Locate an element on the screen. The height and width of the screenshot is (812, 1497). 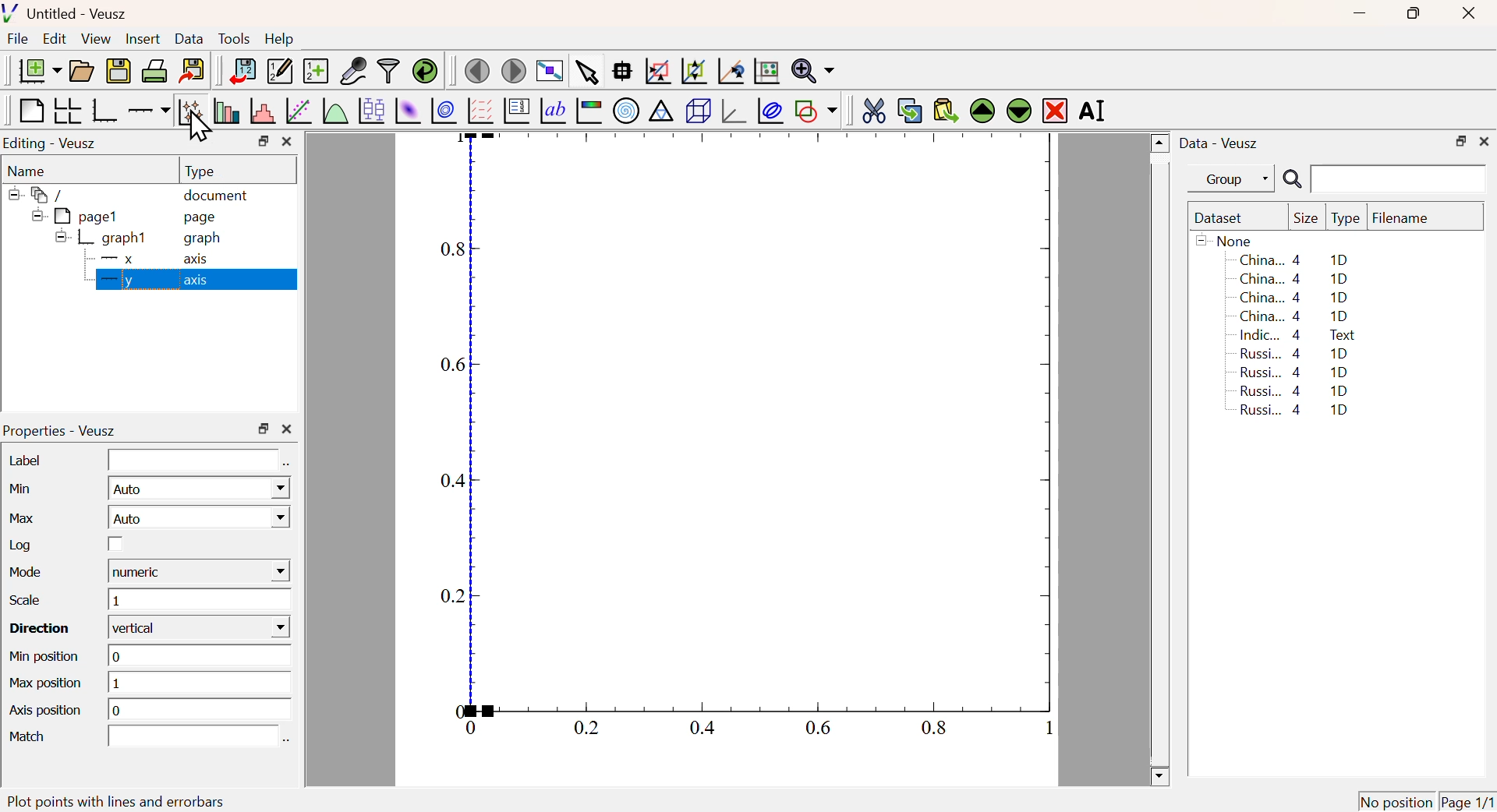
None is located at coordinates (1226, 240).